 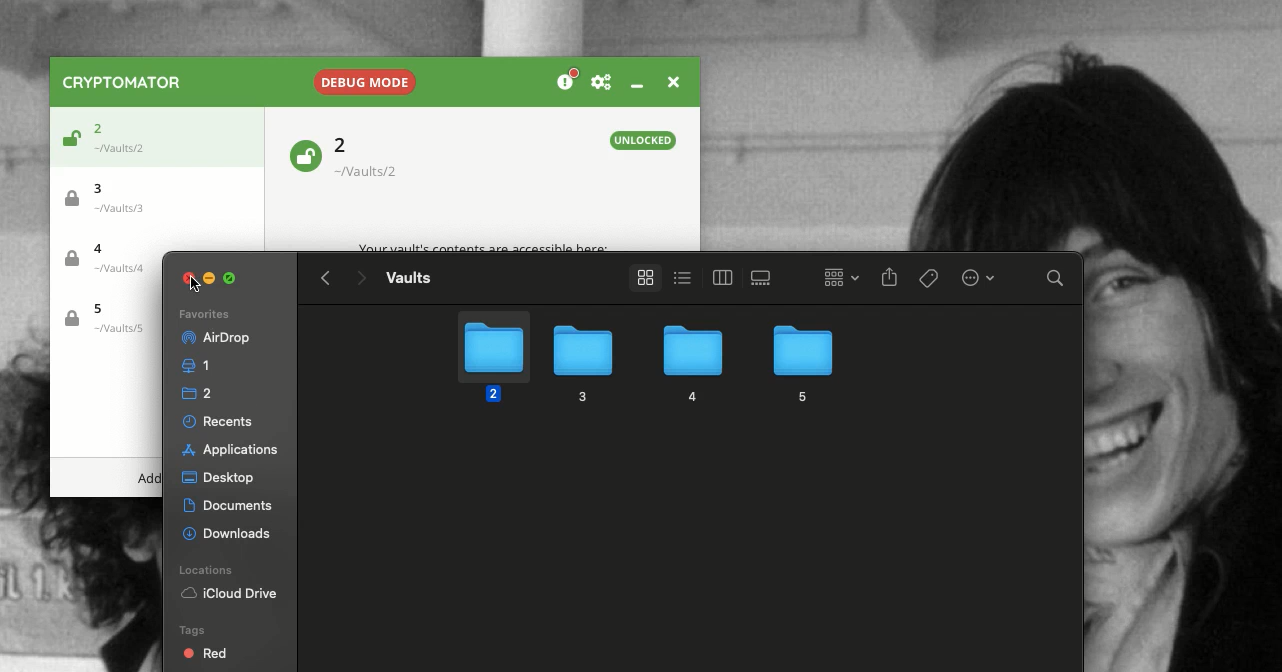 What do you see at coordinates (203, 315) in the screenshot?
I see `Favorites list` at bounding box center [203, 315].